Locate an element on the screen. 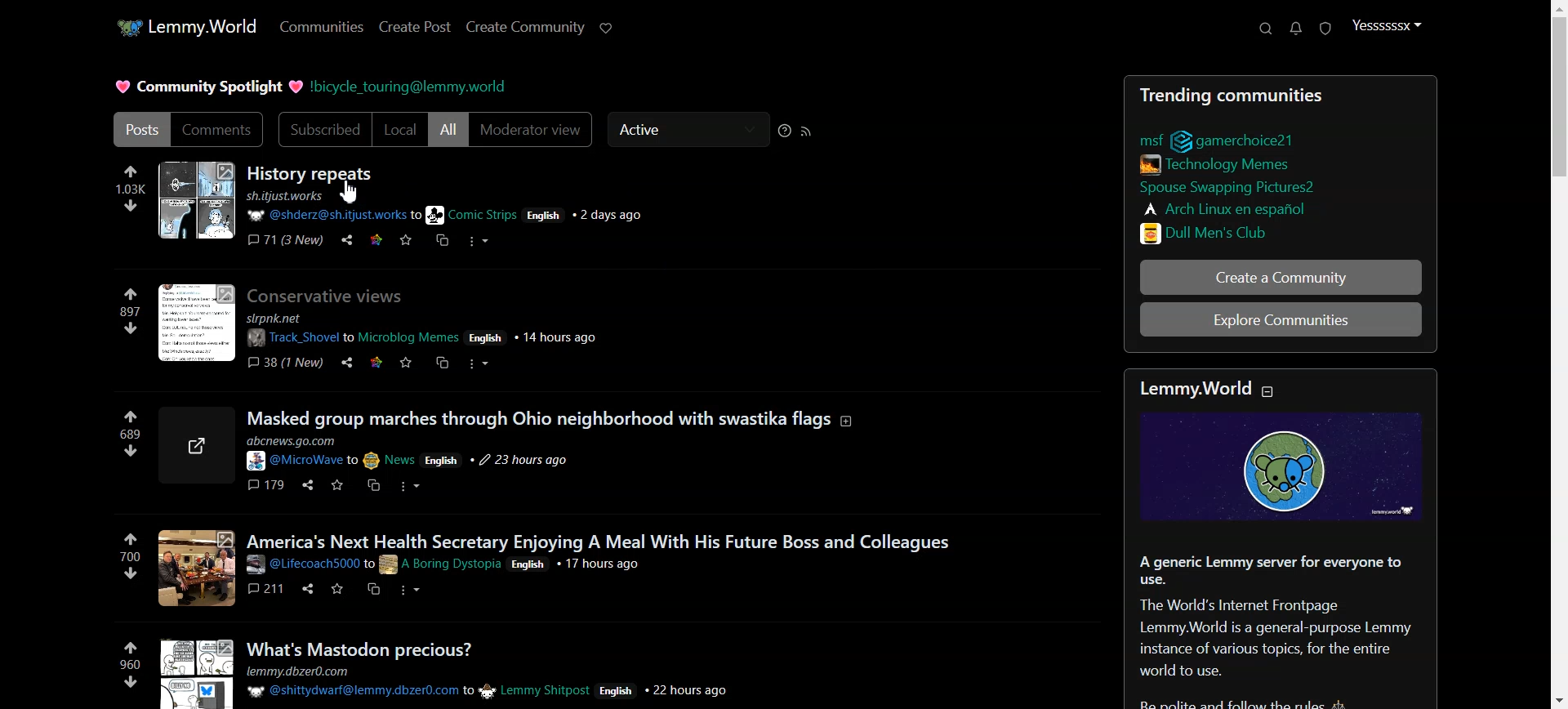 The image size is (1568, 709). Copy is located at coordinates (376, 487).